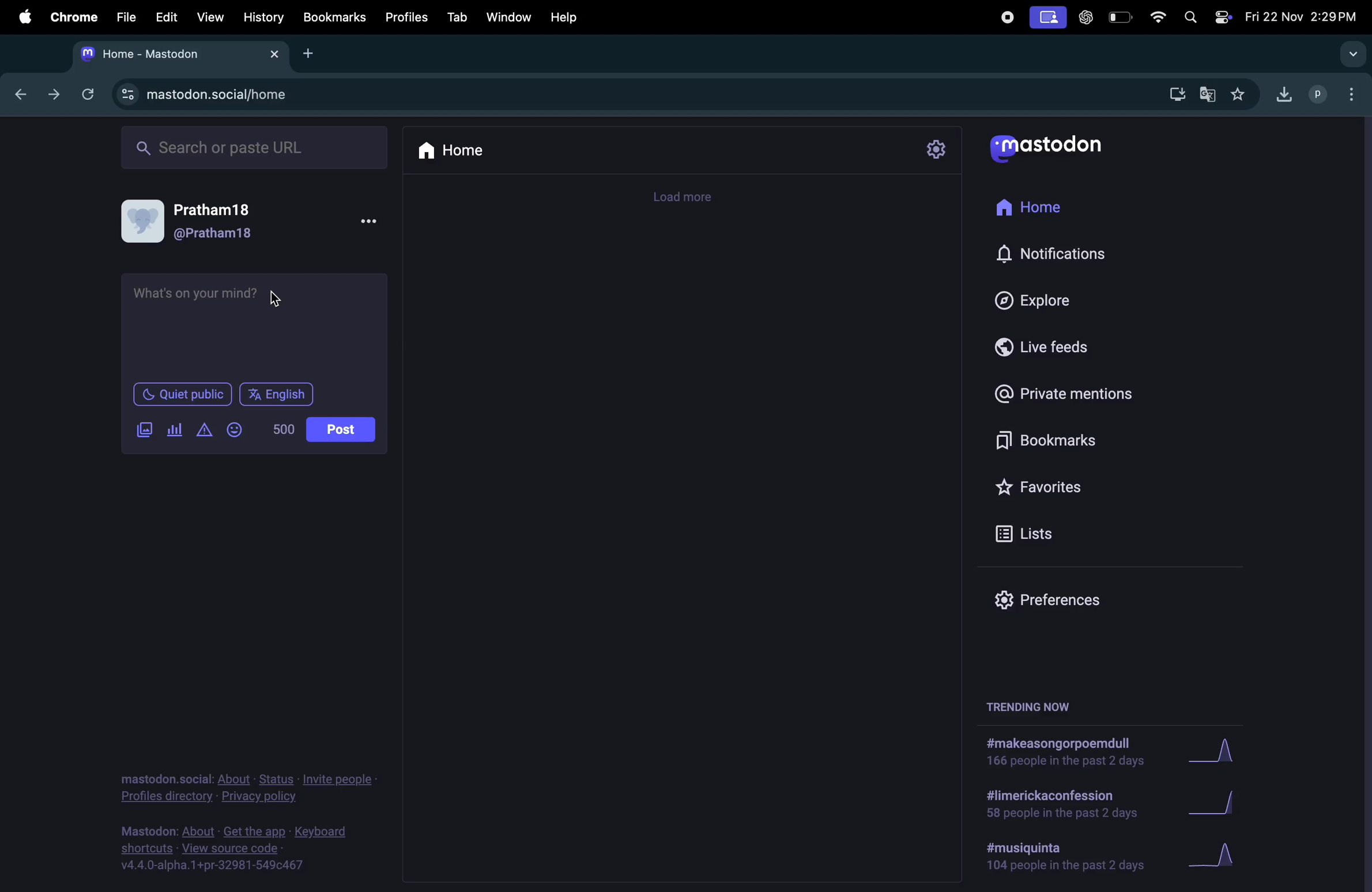 The height and width of the screenshot is (892, 1372). I want to click on post, so click(341, 429).